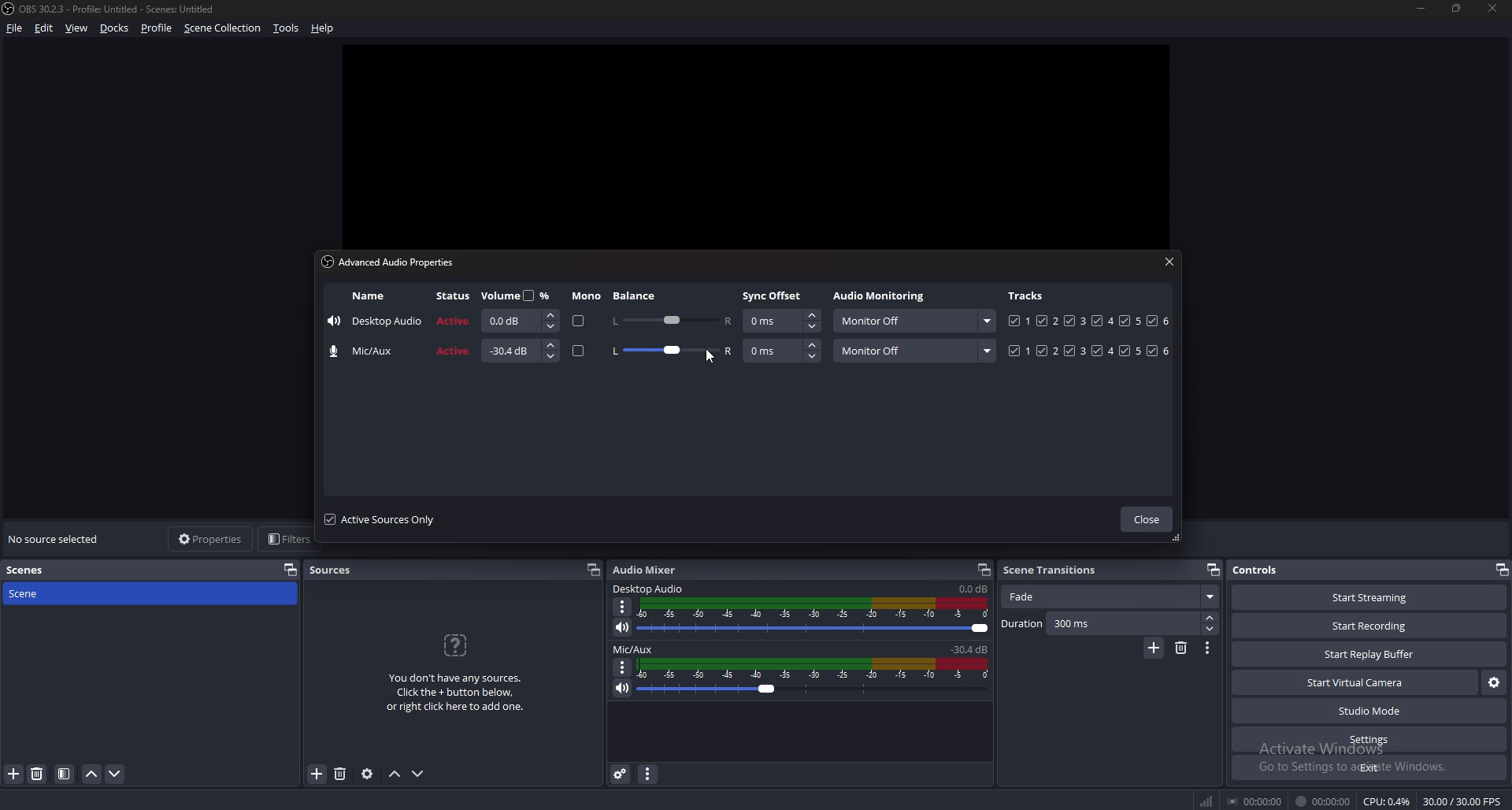 Image resolution: width=1512 pixels, height=810 pixels. What do you see at coordinates (78, 28) in the screenshot?
I see `view` at bounding box center [78, 28].